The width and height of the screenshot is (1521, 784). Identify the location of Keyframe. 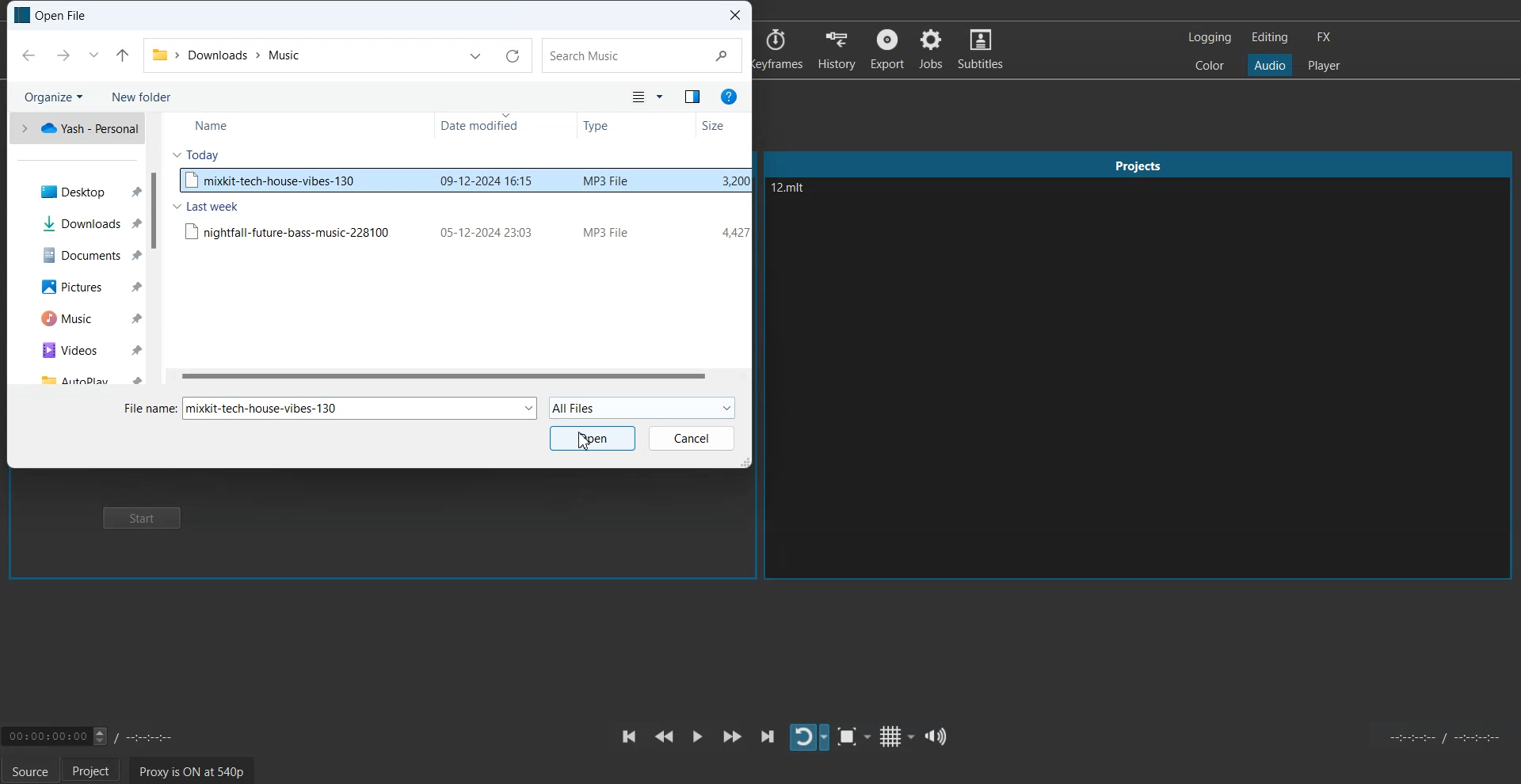
(776, 49).